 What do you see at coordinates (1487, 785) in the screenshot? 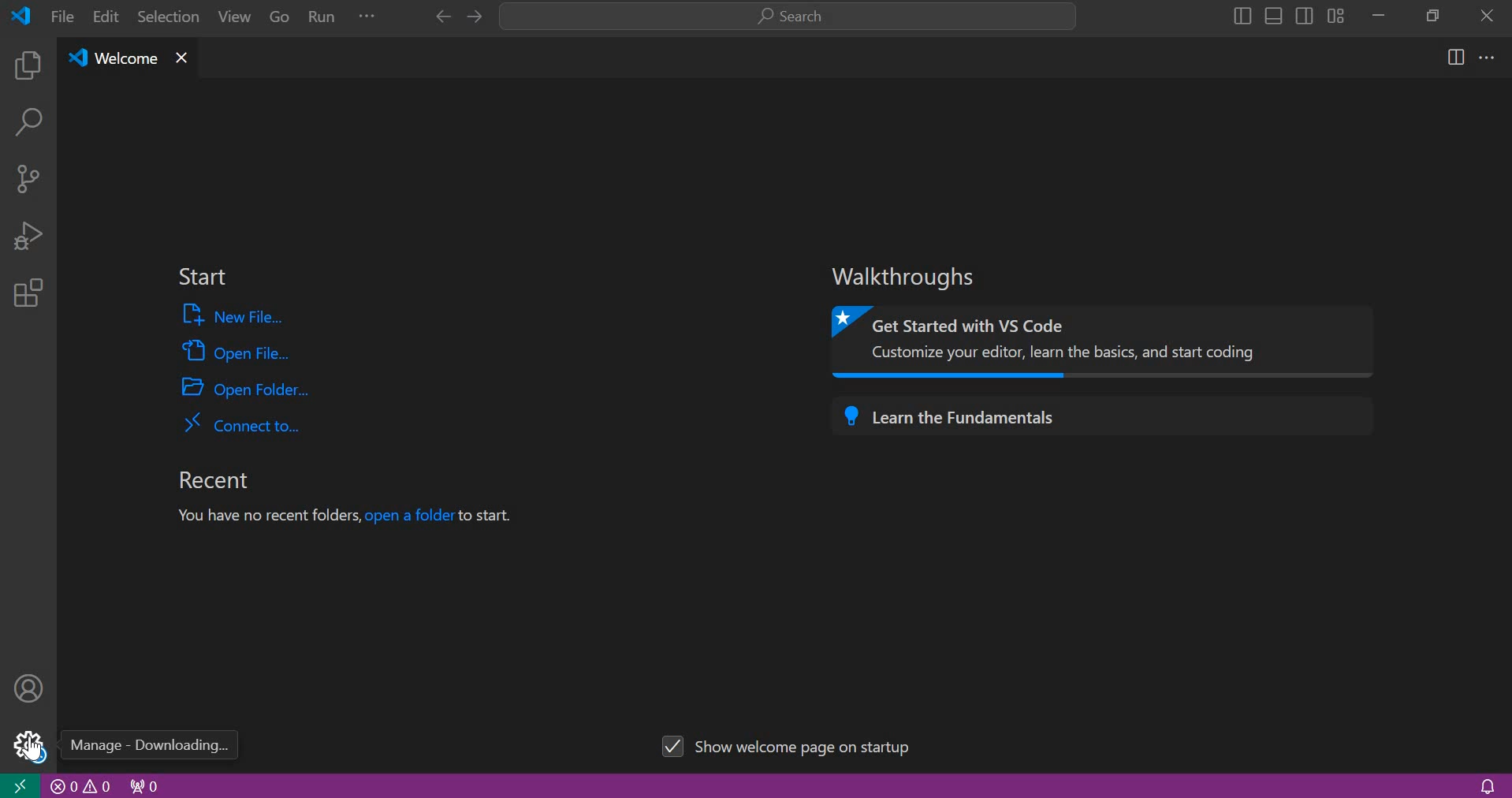
I see `no notifications` at bounding box center [1487, 785].